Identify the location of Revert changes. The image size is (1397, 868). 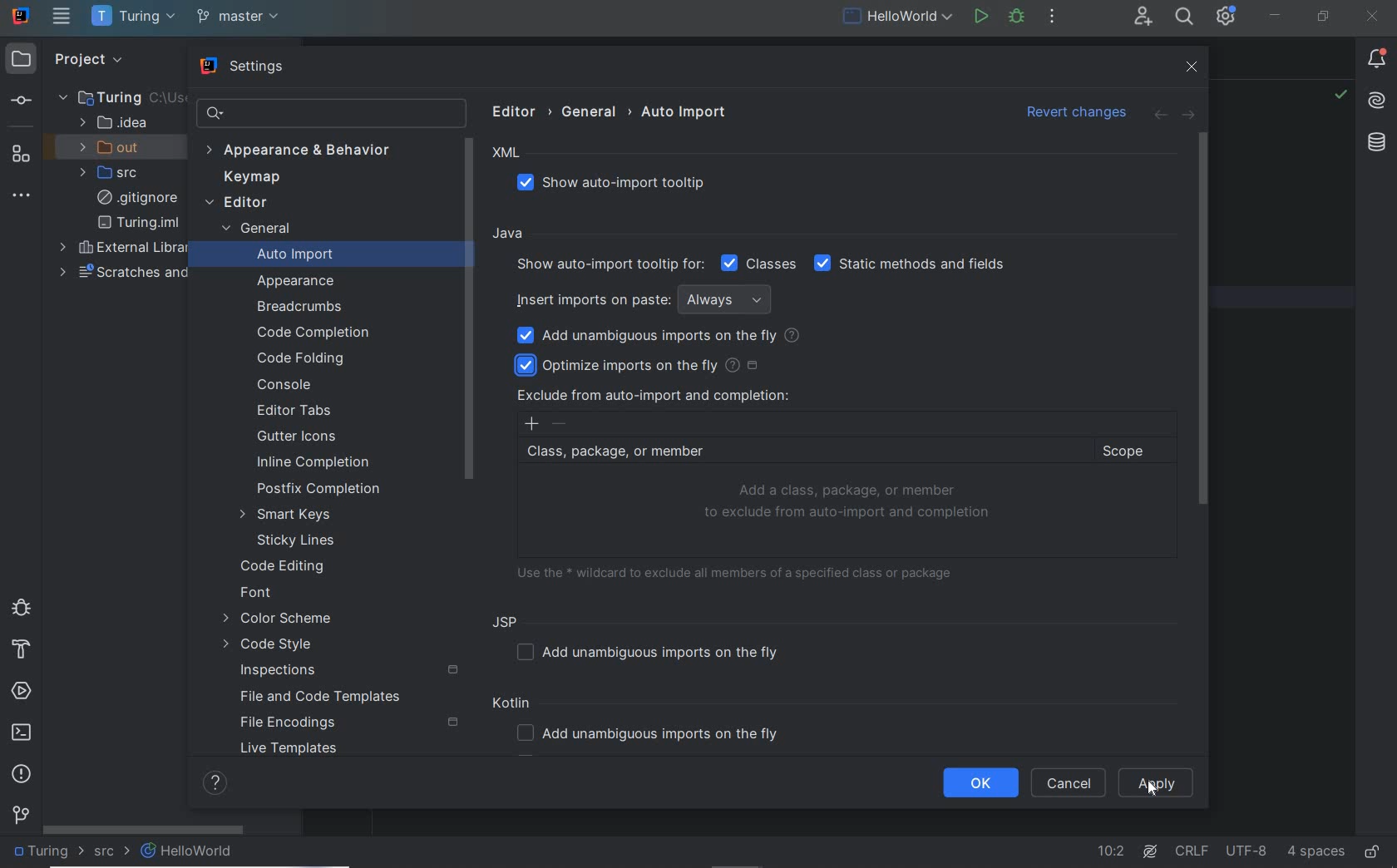
(1071, 110).